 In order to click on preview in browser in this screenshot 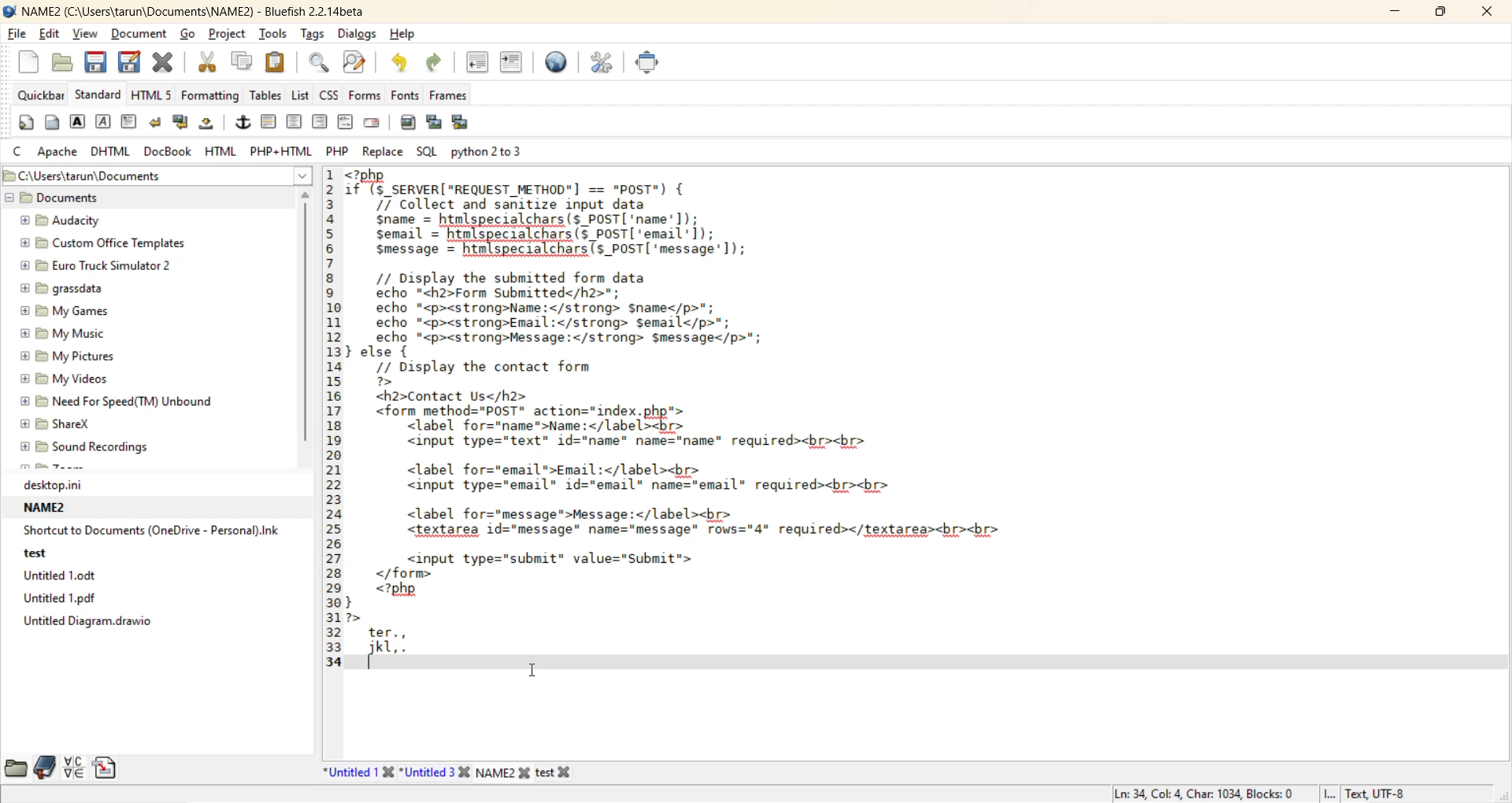, I will do `click(557, 62)`.